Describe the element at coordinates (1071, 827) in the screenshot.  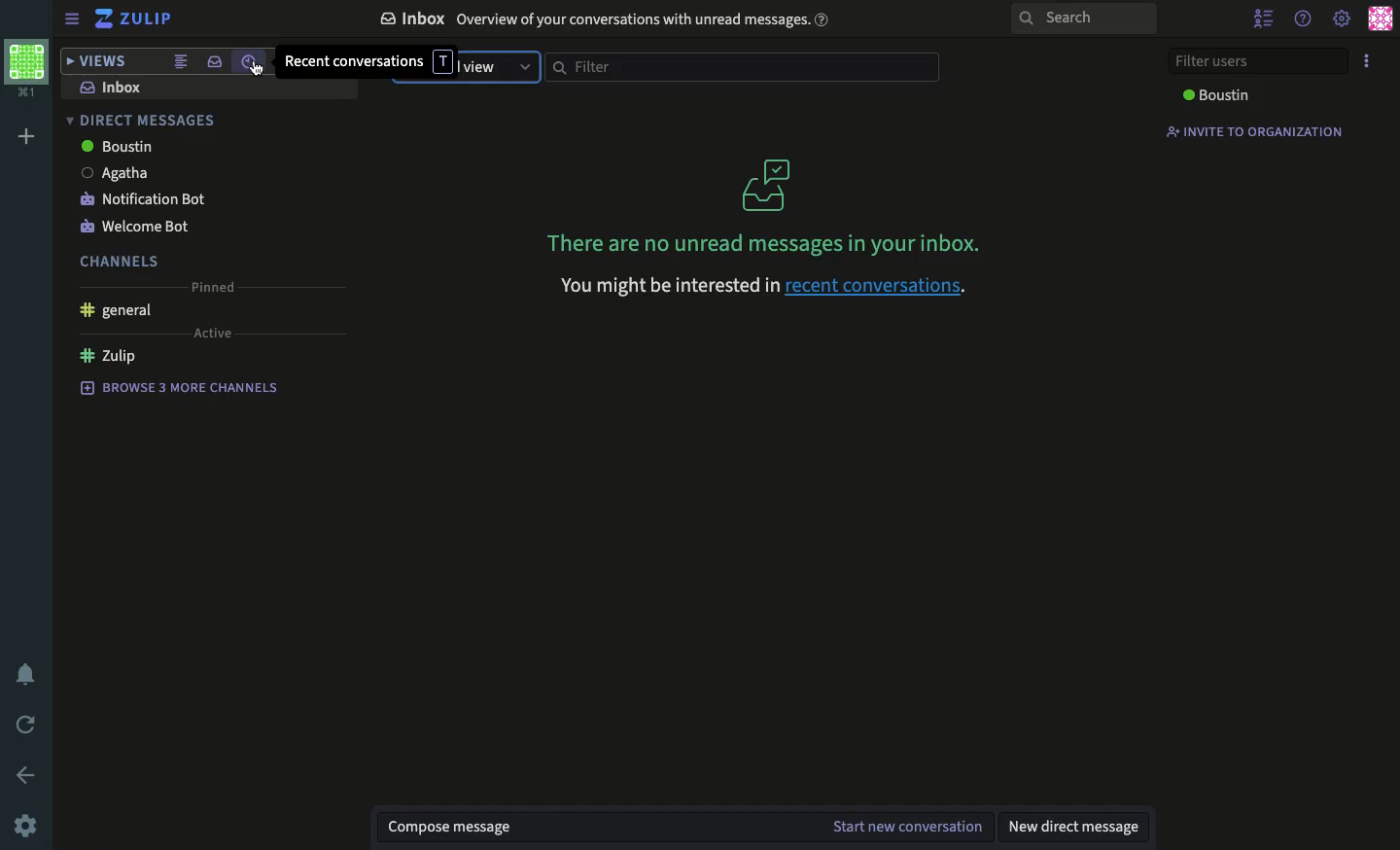
I see `new direct message` at that location.